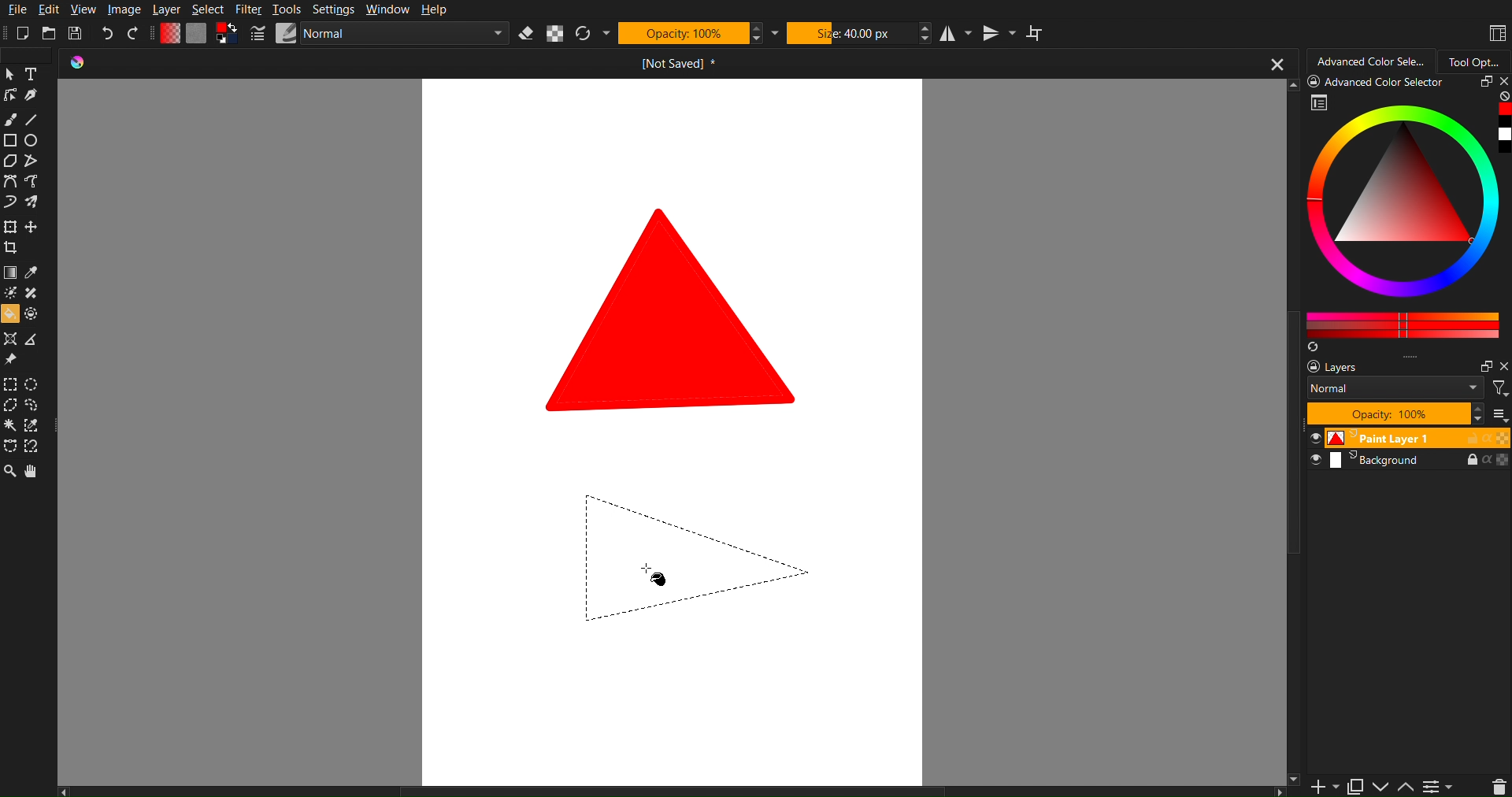 The image size is (1512, 797). I want to click on Advanced Color Selector, so click(1373, 61).